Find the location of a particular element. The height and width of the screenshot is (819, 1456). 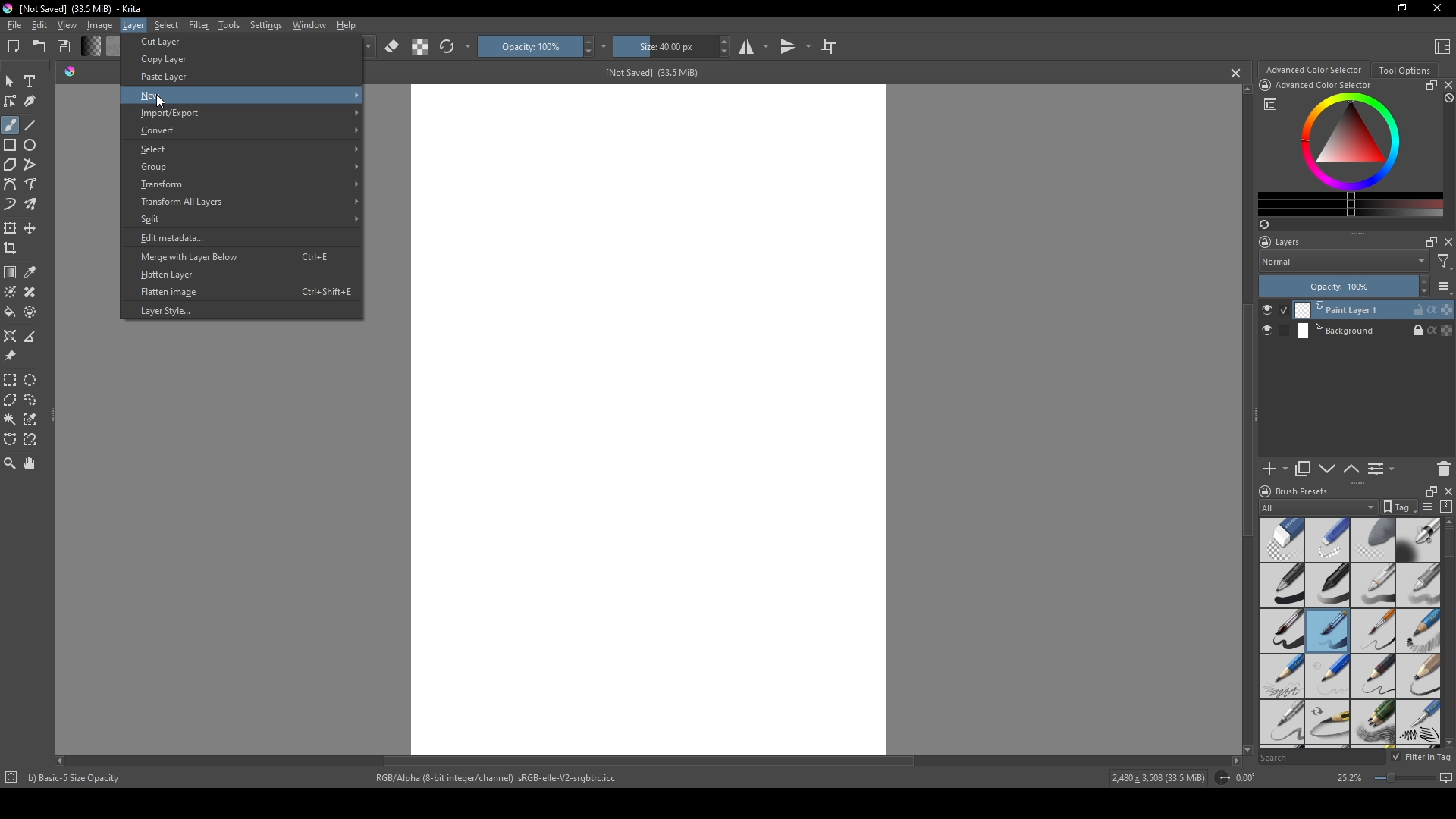

close is located at coordinates (1447, 491).